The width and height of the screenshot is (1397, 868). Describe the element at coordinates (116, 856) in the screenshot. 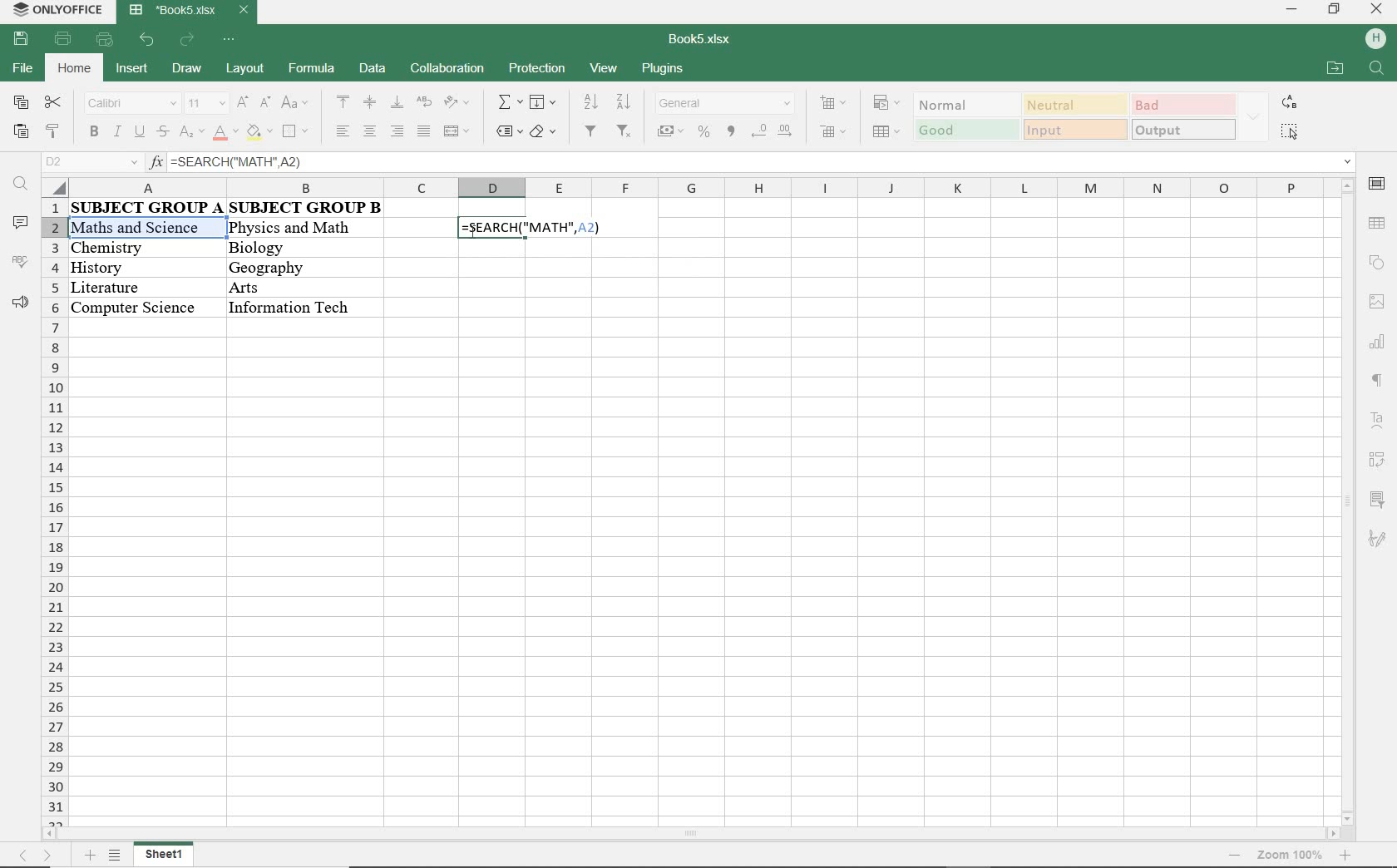

I see `list of sheets` at that location.